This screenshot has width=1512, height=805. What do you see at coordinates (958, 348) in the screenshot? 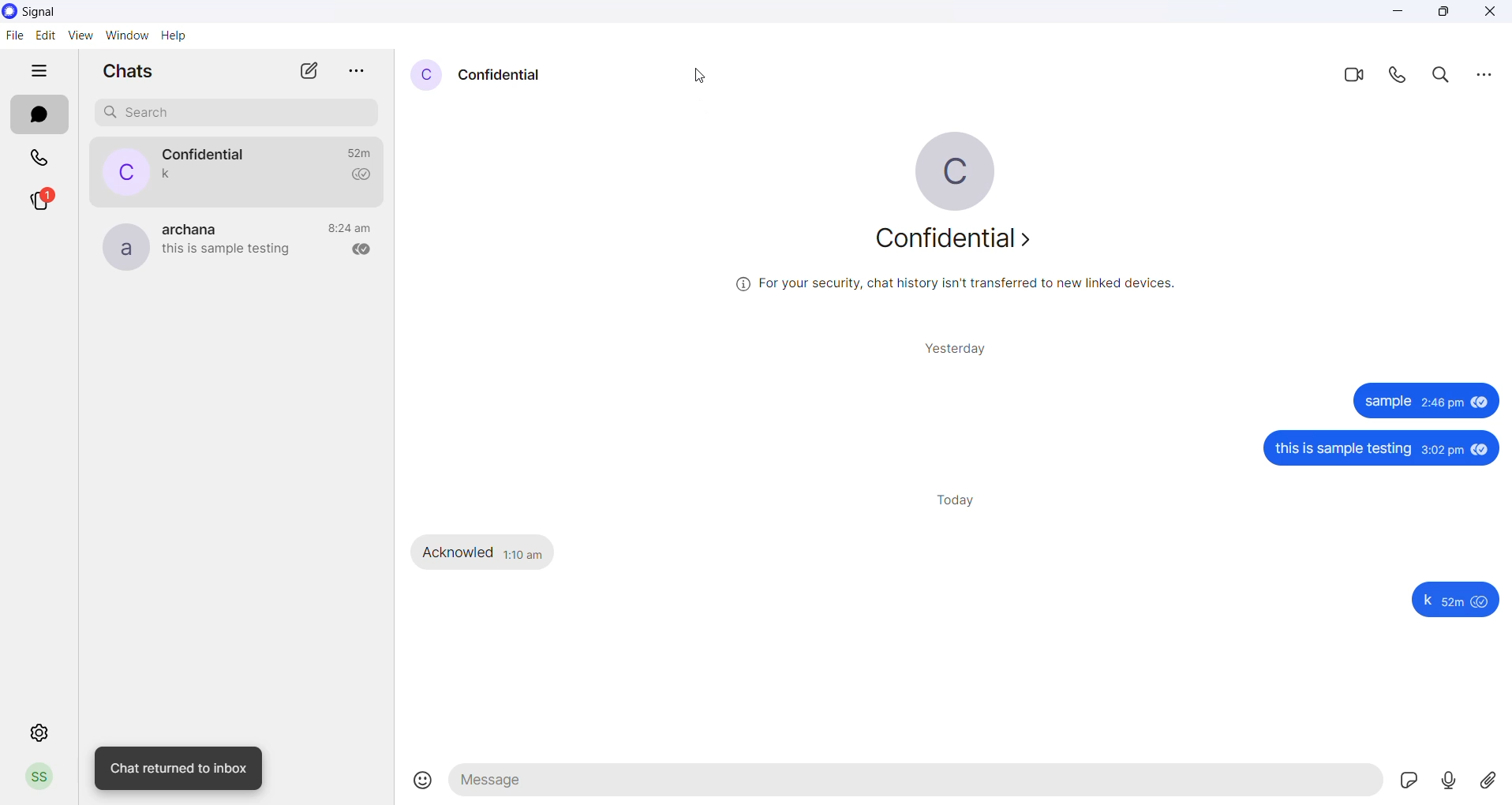
I see `yesterday messages heading` at bounding box center [958, 348].